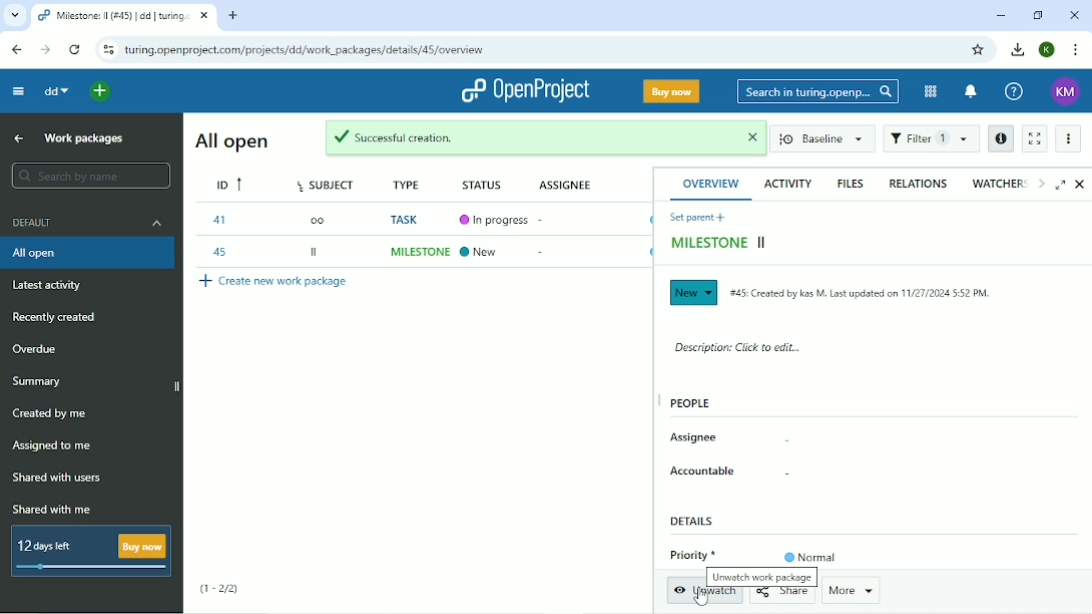 This screenshot has width=1092, height=614. Describe the element at coordinates (219, 589) in the screenshot. I see `(1-2/2)` at that location.